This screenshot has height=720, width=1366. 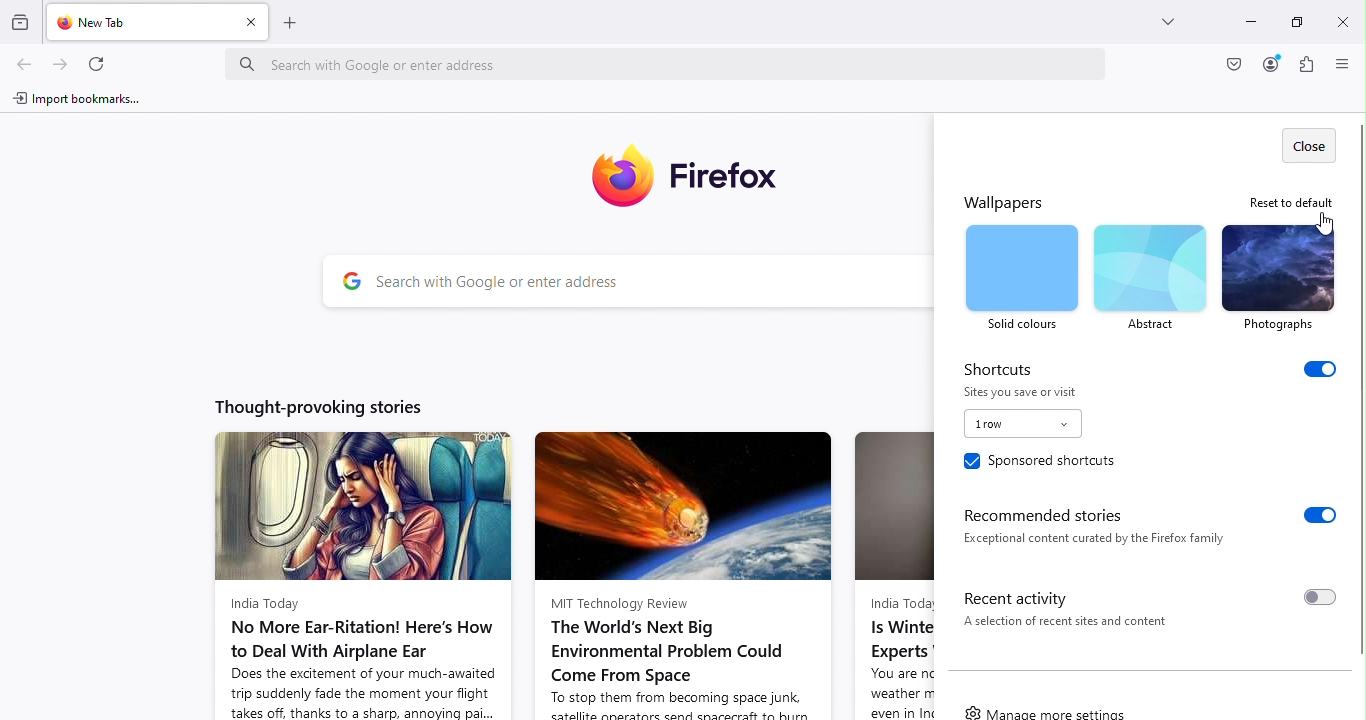 I want to click on Manage more settings, so click(x=1047, y=710).